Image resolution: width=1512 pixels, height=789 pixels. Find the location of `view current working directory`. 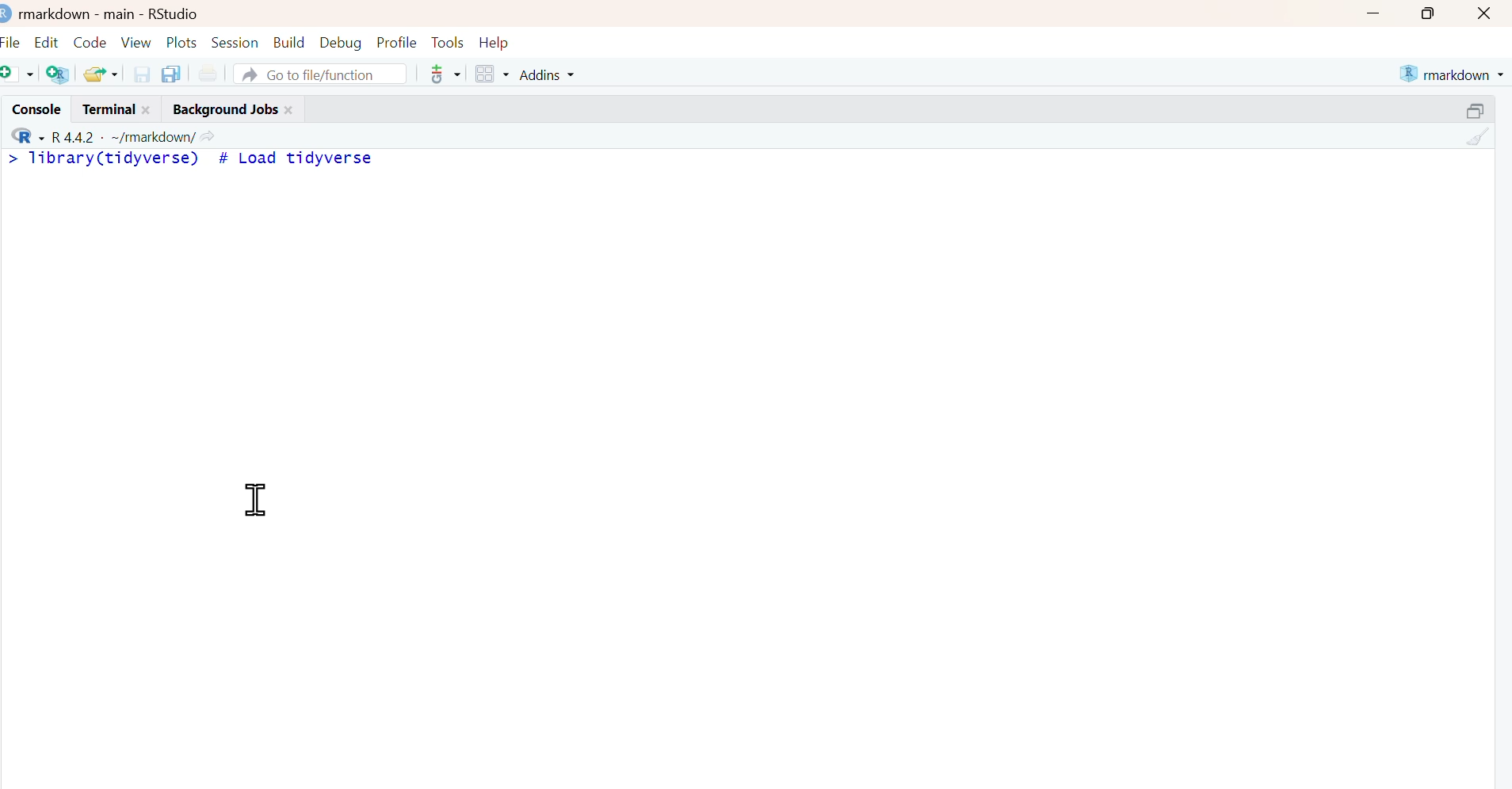

view current working directory is located at coordinates (208, 135).